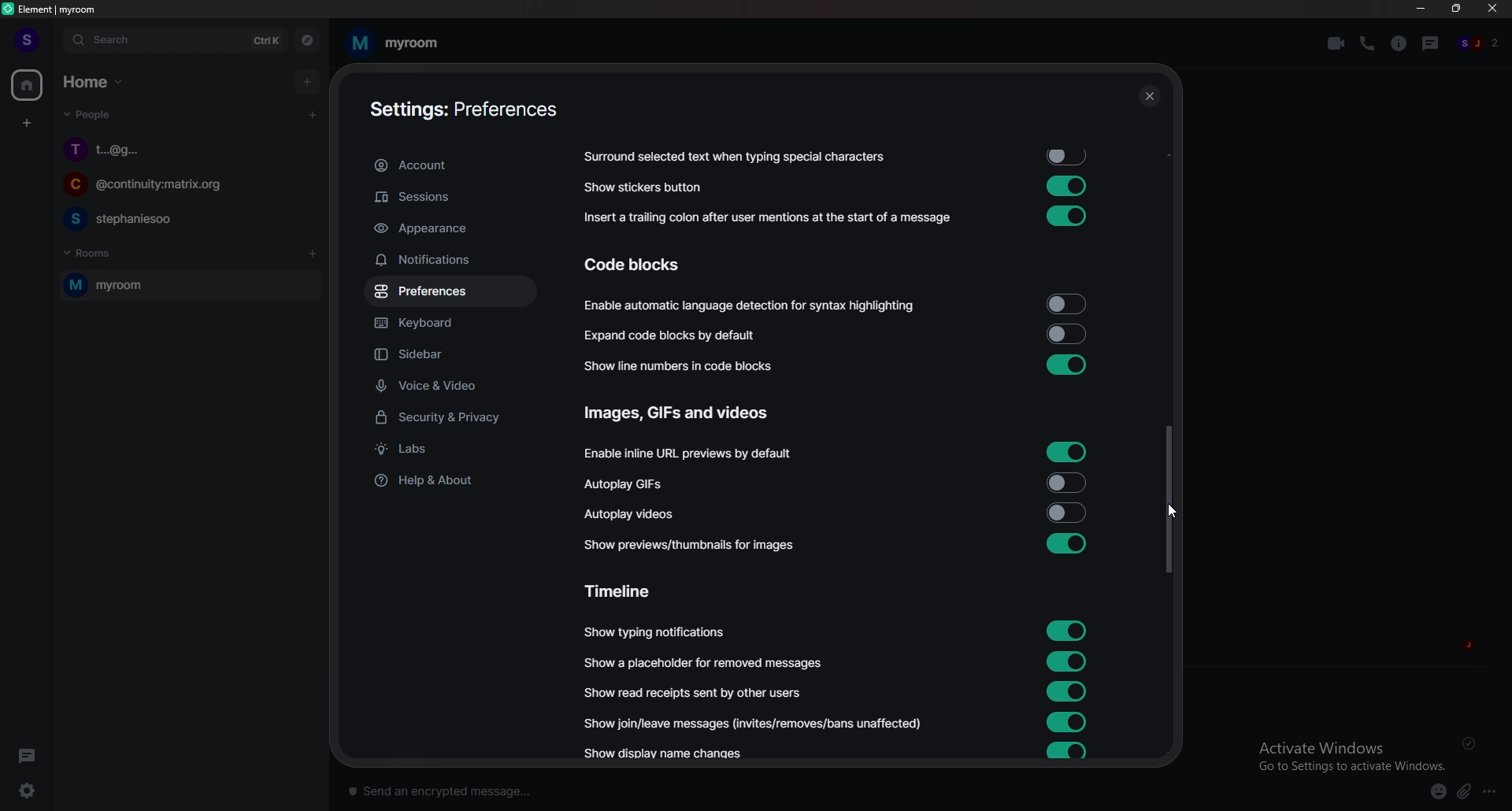  Describe the element at coordinates (634, 484) in the screenshot. I see `autoplay gifs` at that location.